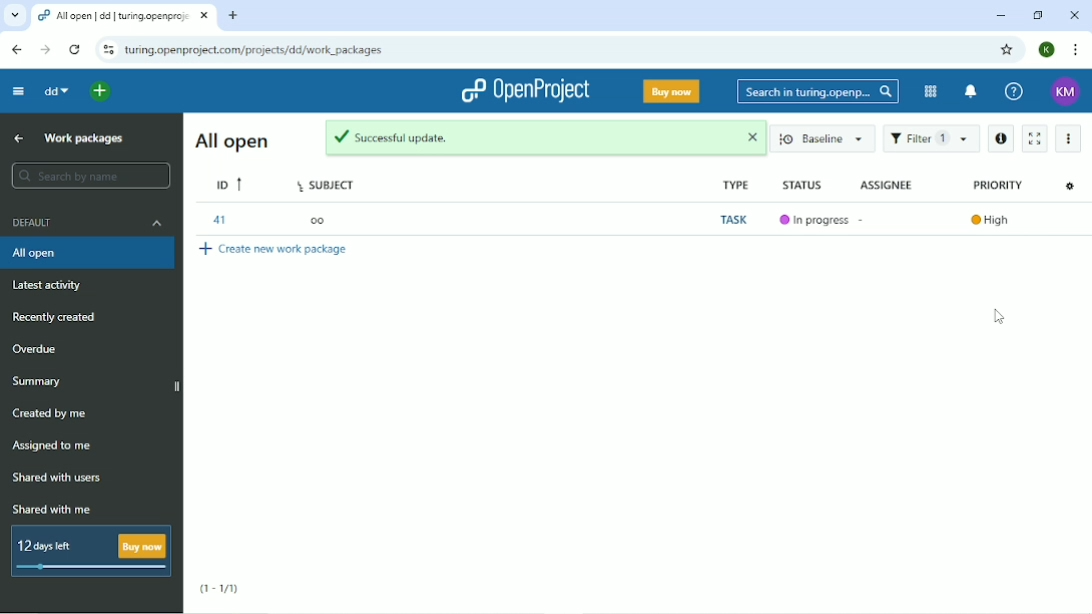 The height and width of the screenshot is (614, 1092). Describe the element at coordinates (231, 183) in the screenshot. I see `ID` at that location.